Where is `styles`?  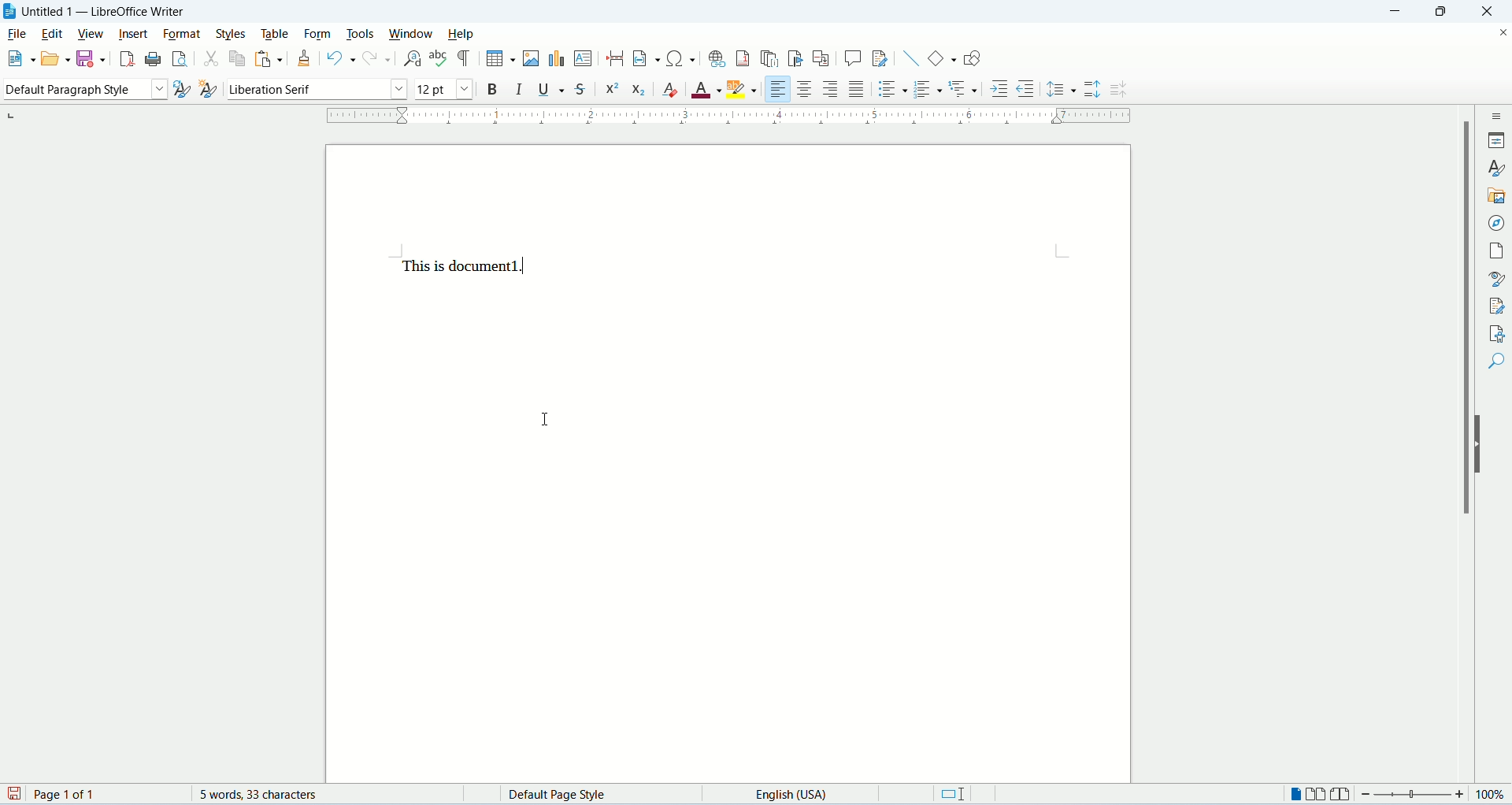 styles is located at coordinates (233, 34).